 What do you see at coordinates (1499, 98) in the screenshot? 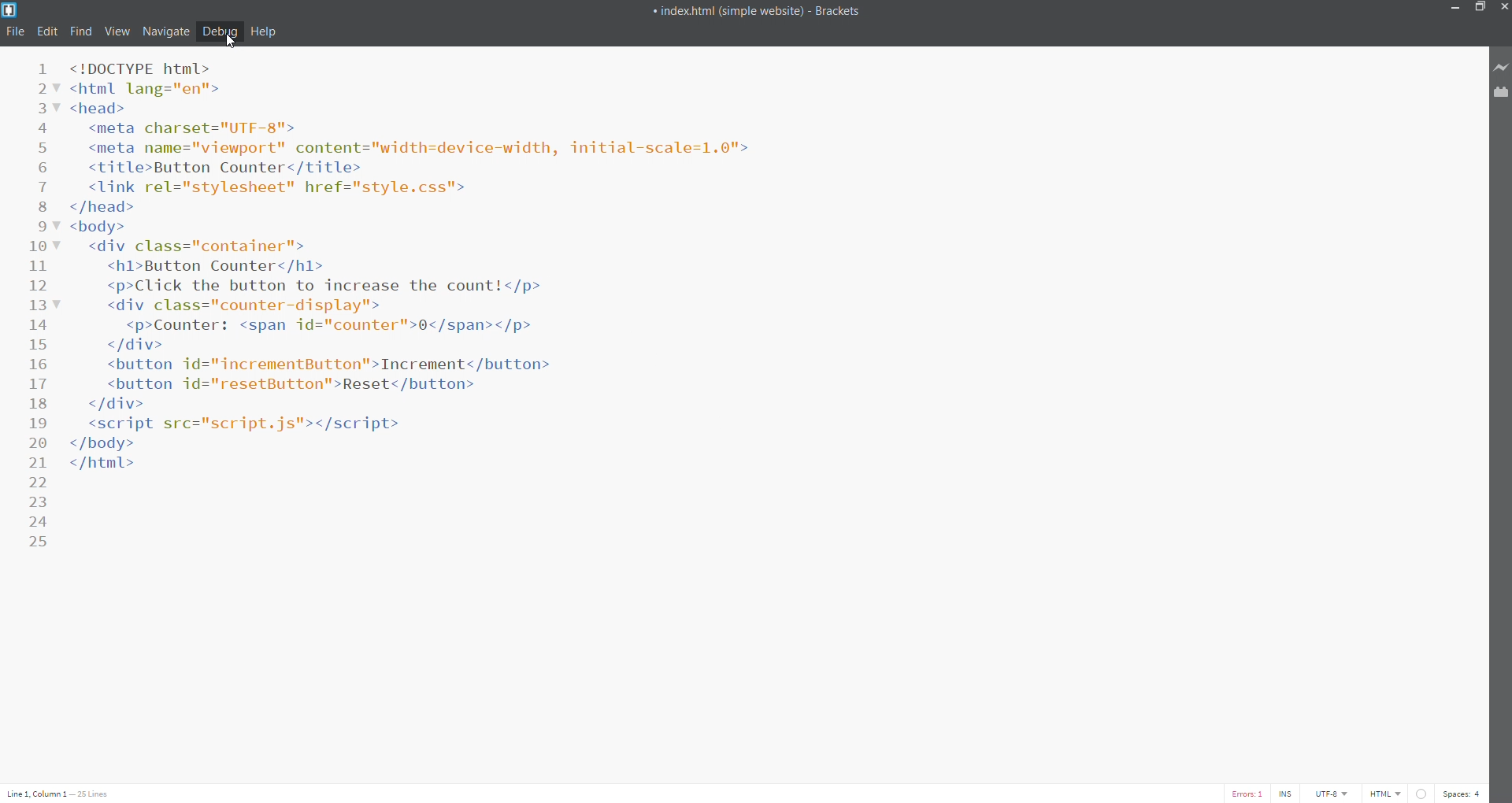
I see `extension manager` at bounding box center [1499, 98].